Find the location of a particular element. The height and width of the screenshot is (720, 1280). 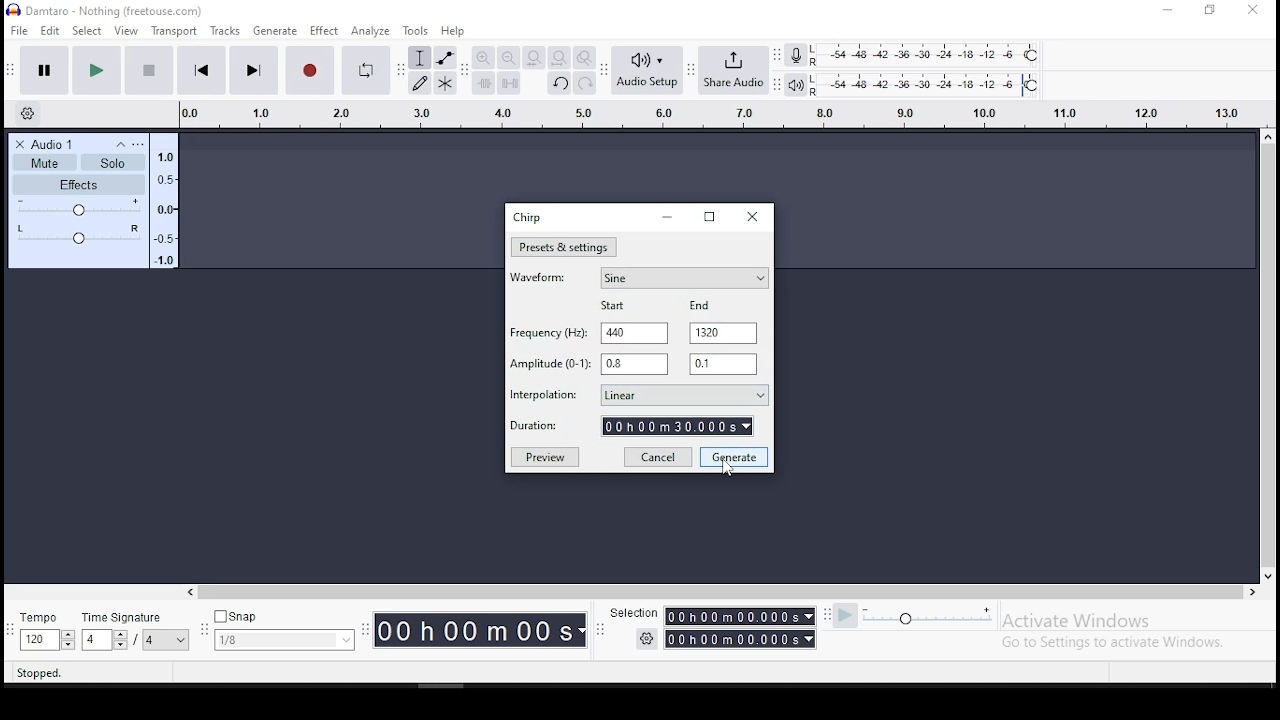

amplitude end is located at coordinates (551, 364).